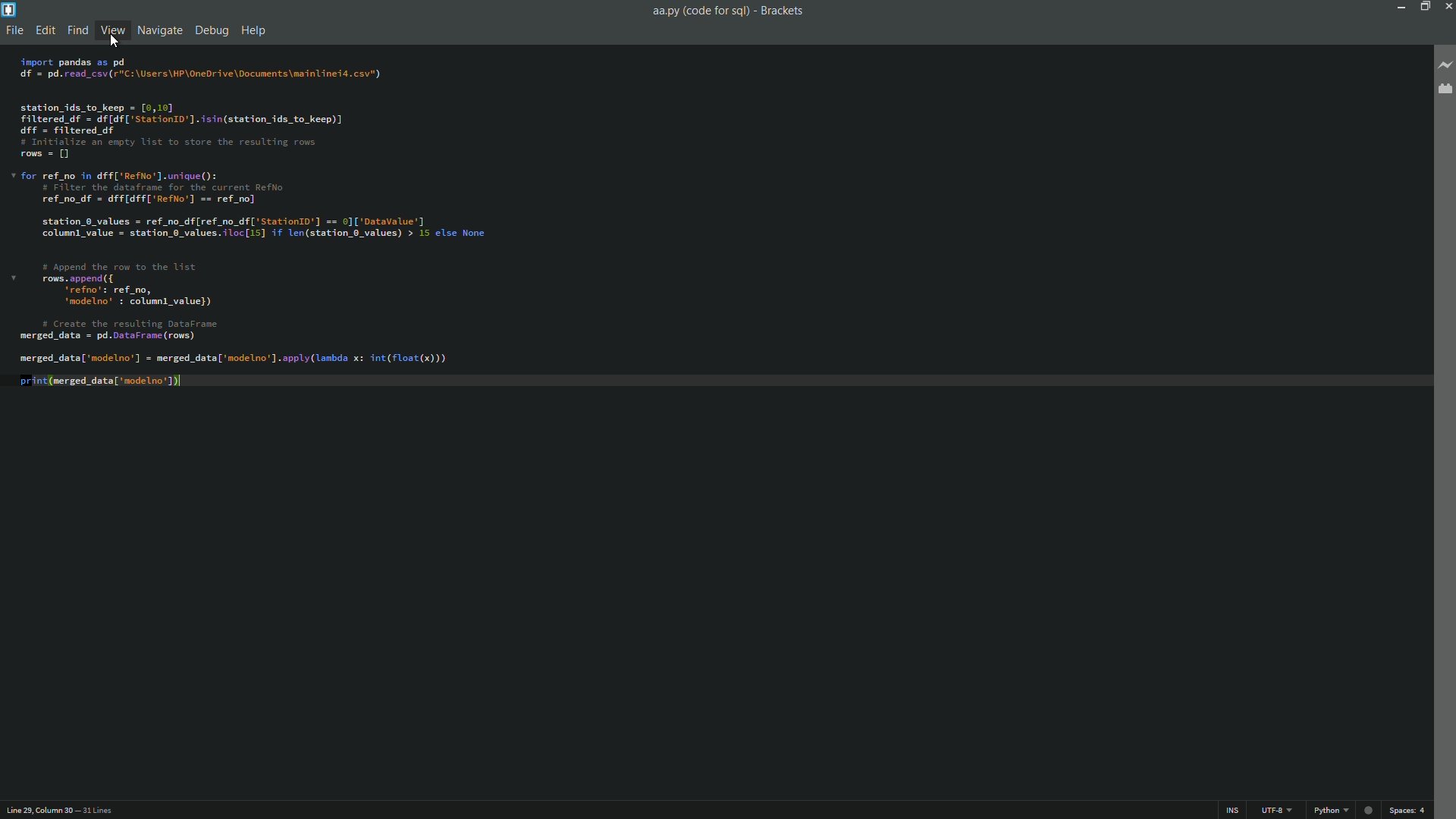 This screenshot has height=819, width=1456. Describe the element at coordinates (258, 224) in the screenshot. I see `import pandas as pd
df = pd.read_csv(r'C:\Users\HP\OneDr ive\Docunents\mainlinei4. csv")
station_ids_to_keep = [0,10]
Filtered df = df[df['Station1d']. isin(station_ids_to_keep)]
ff = filtered df
# Initialize an empty list to store the resulting rows
rows = []
v for ref_no in dff['RefNo'].uniaue():
# Filter the dataframe for the current RefNo
ref_no_df = dff[dff['Reflo’] == ref_no]
station 0_values = ref_no_df[ref_no_df['Station1d'] == 0]['Datavalue']
column value = station 0_values.iloc[i5] if len(station_0_values) > 15 else None
# Append the row to the list
v rows. append ({
‘reo’: ref_no,
‘modelno’ : columnl_value})
# Create the resulting DataFrame
merged_data = pd.DataFrane (rows)
merged_data['nodelno’] = merged_data['nodelno']. apply (Lambda x: int(float(x)))
print(merged_data['nodelno 1)|` at that location.